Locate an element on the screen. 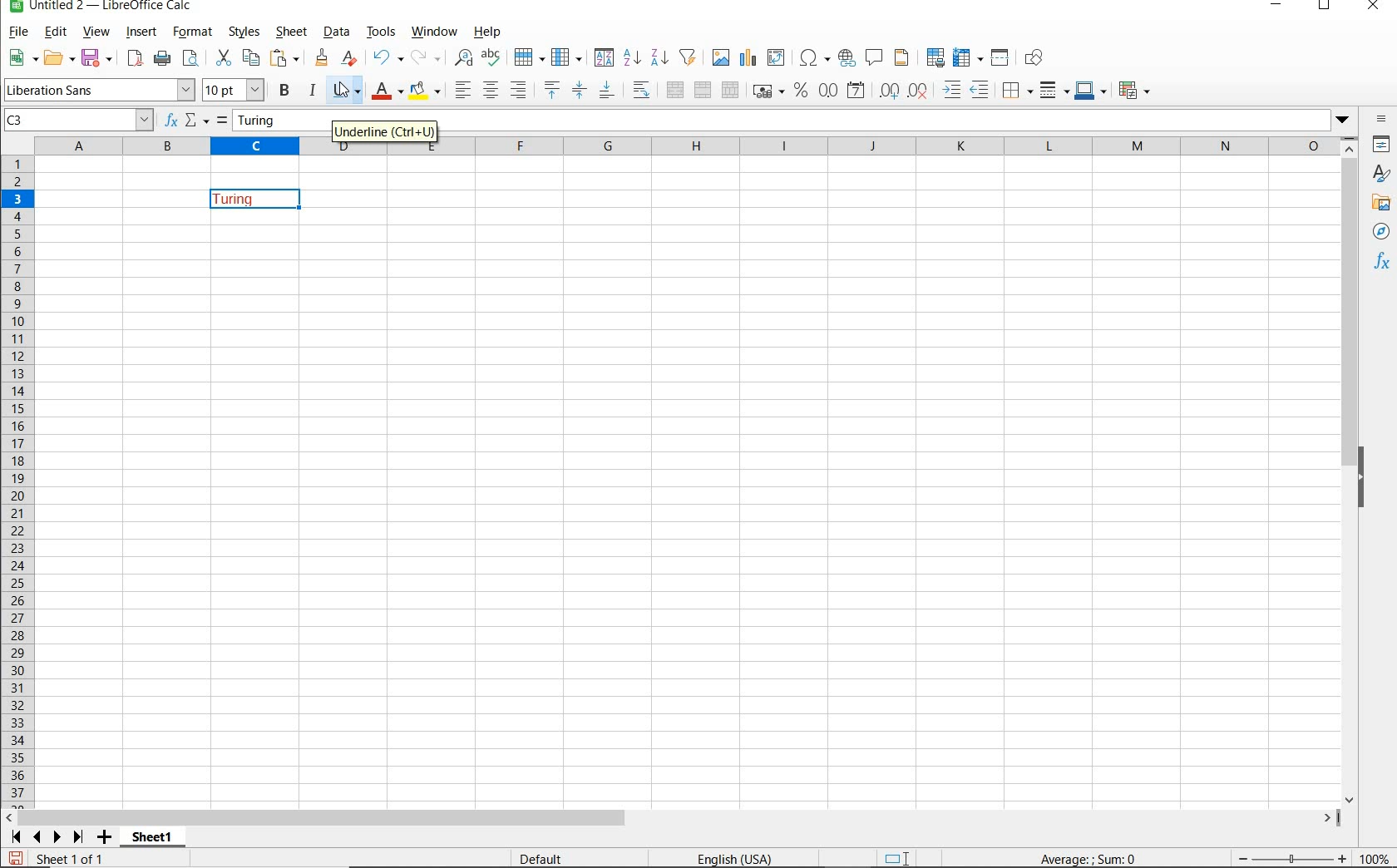 This screenshot has height=868, width=1397. SHEET1 is located at coordinates (155, 839).